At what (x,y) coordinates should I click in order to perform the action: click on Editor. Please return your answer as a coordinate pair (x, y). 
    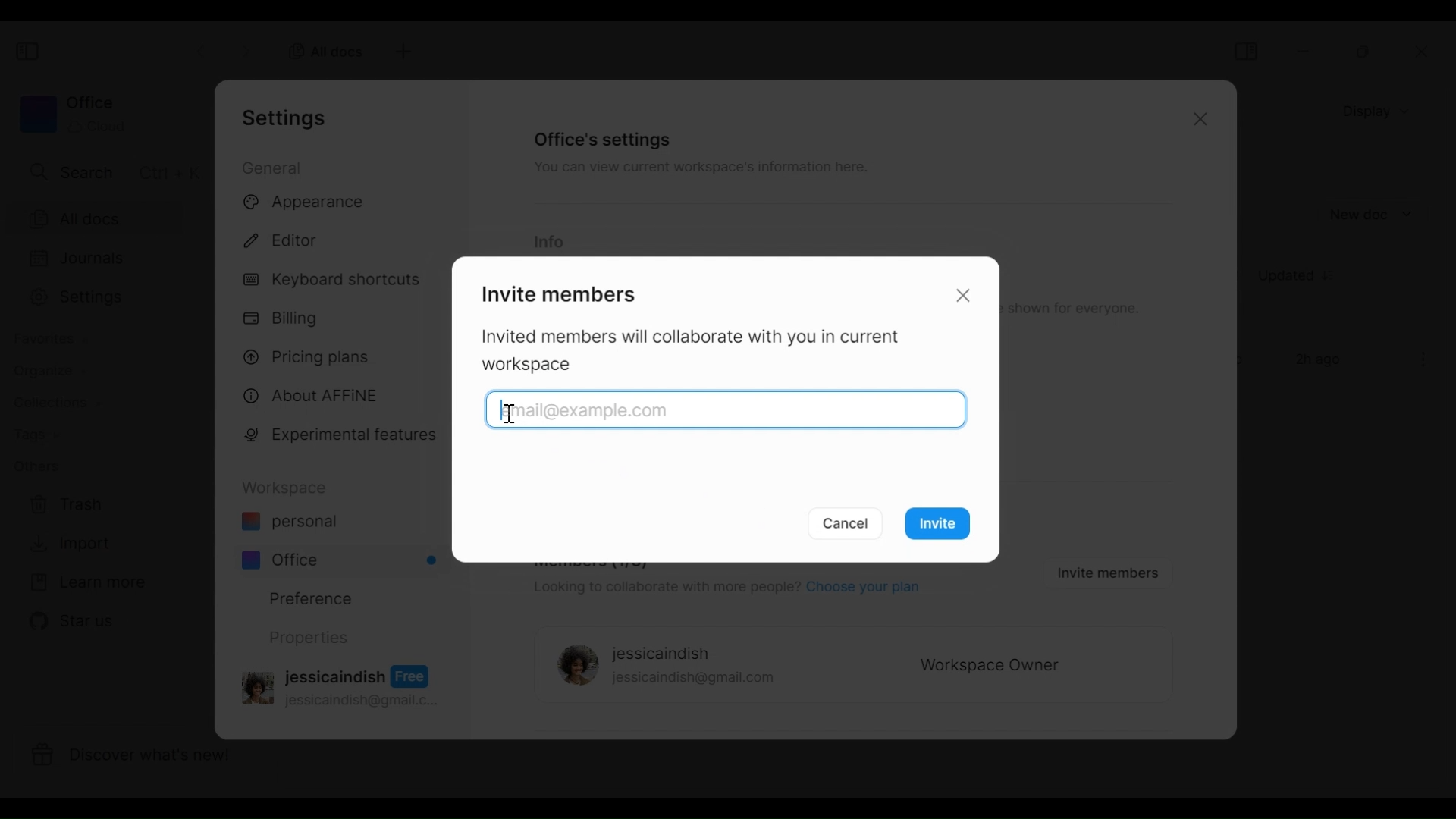
    Looking at the image, I should click on (287, 238).